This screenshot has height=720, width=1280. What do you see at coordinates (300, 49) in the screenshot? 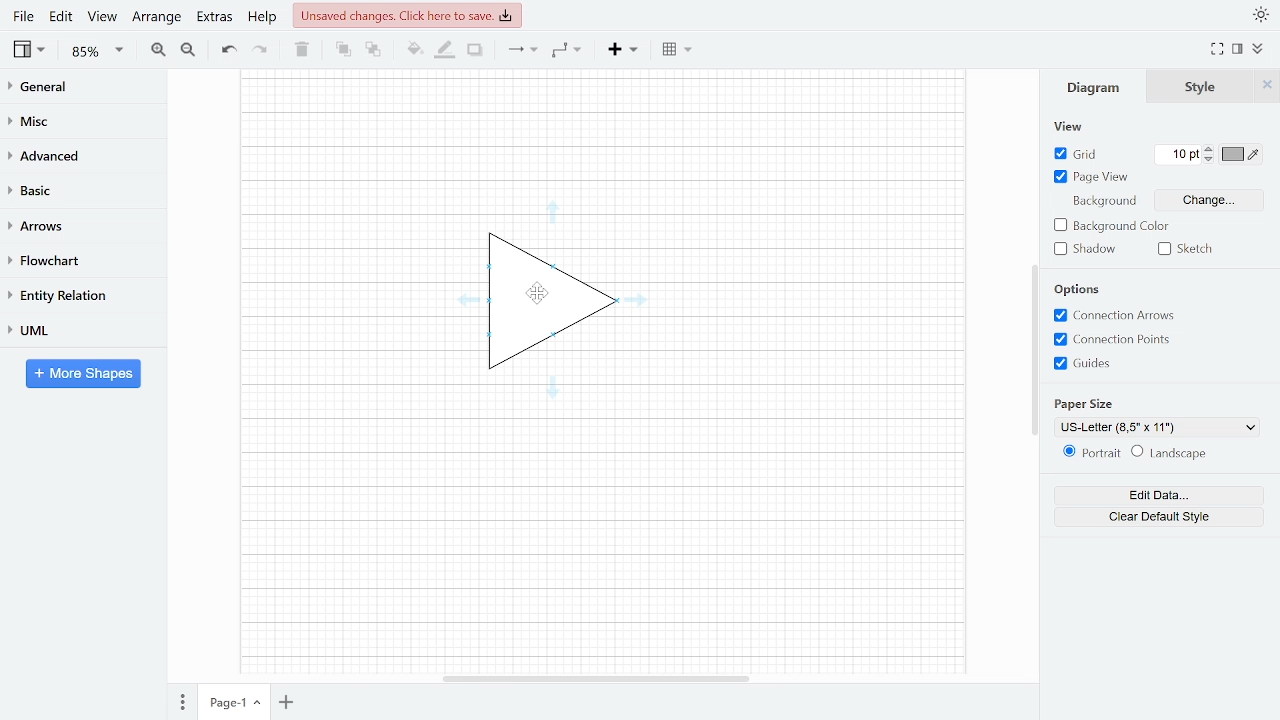
I see `Delete` at bounding box center [300, 49].